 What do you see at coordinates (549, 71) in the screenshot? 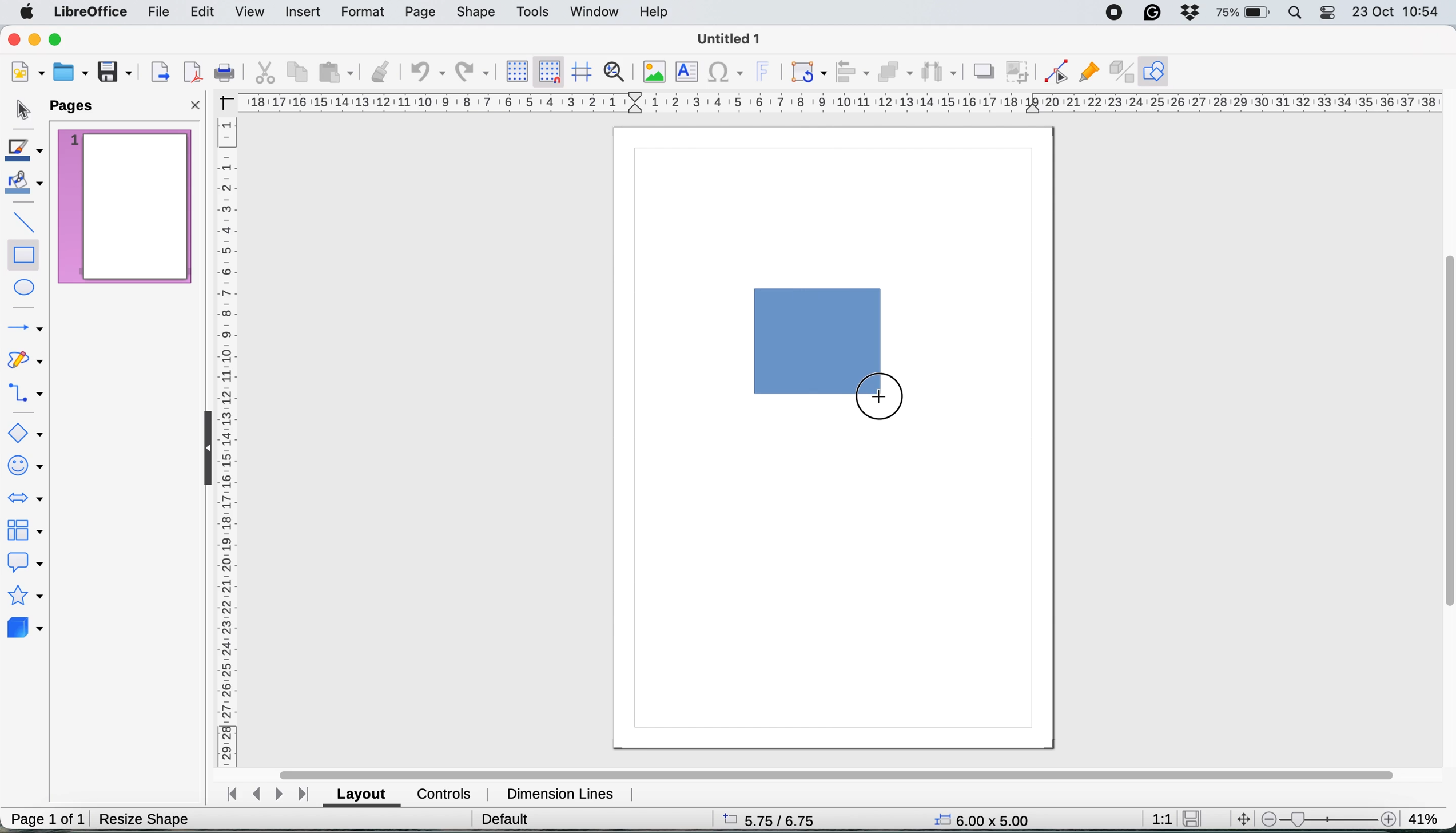
I see `snap to grid` at bounding box center [549, 71].